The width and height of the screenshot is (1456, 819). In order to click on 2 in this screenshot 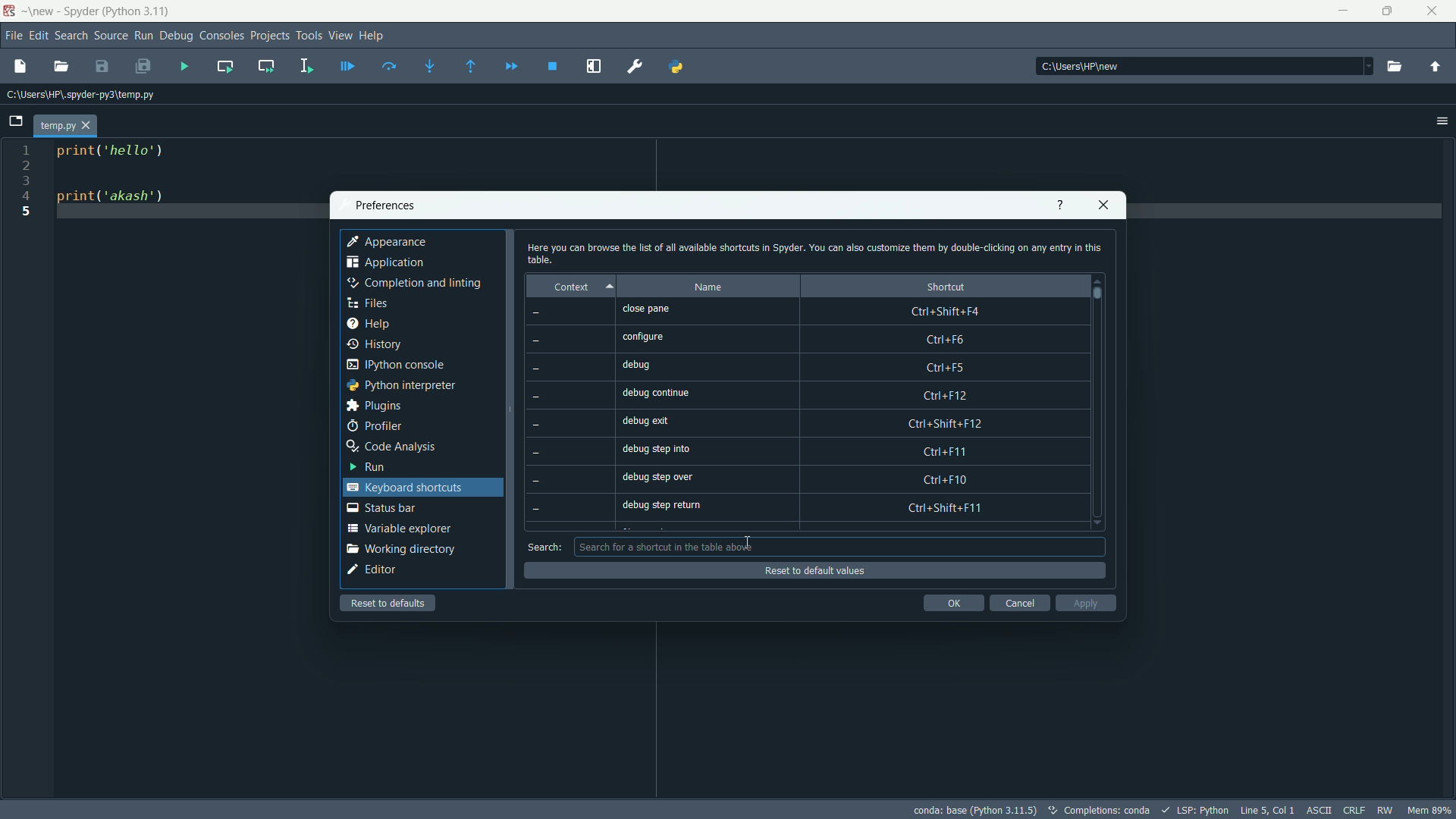, I will do `click(25, 165)`.